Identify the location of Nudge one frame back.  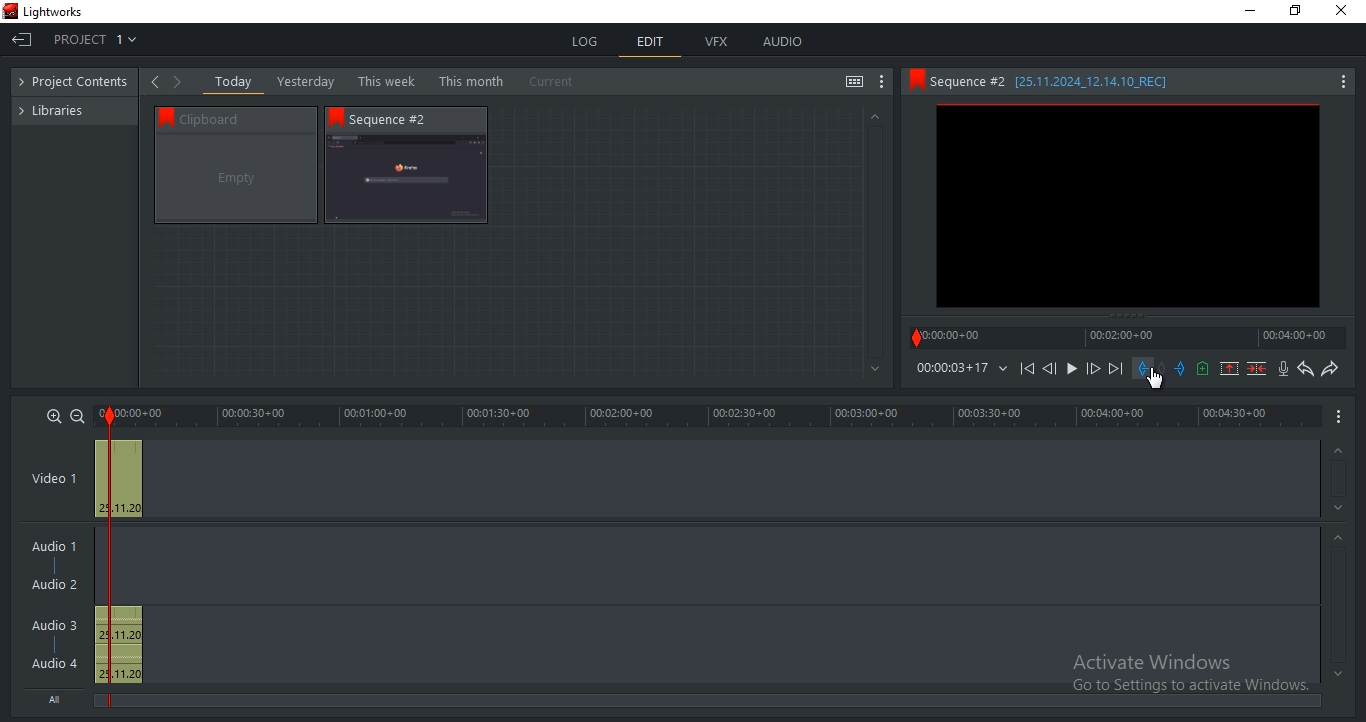
(1053, 371).